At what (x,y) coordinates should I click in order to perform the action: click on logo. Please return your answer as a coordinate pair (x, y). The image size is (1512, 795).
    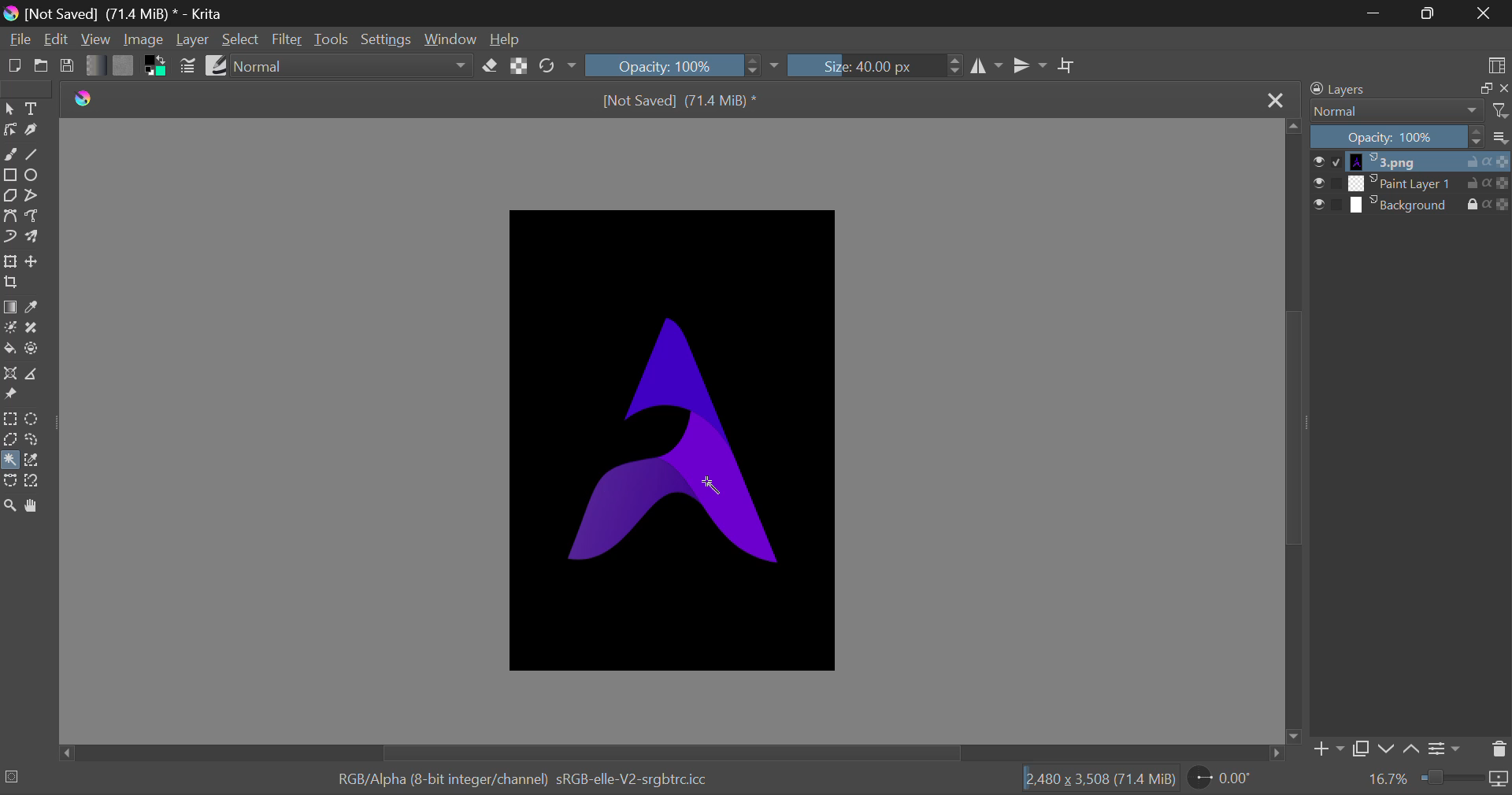
    Looking at the image, I should click on (87, 99).